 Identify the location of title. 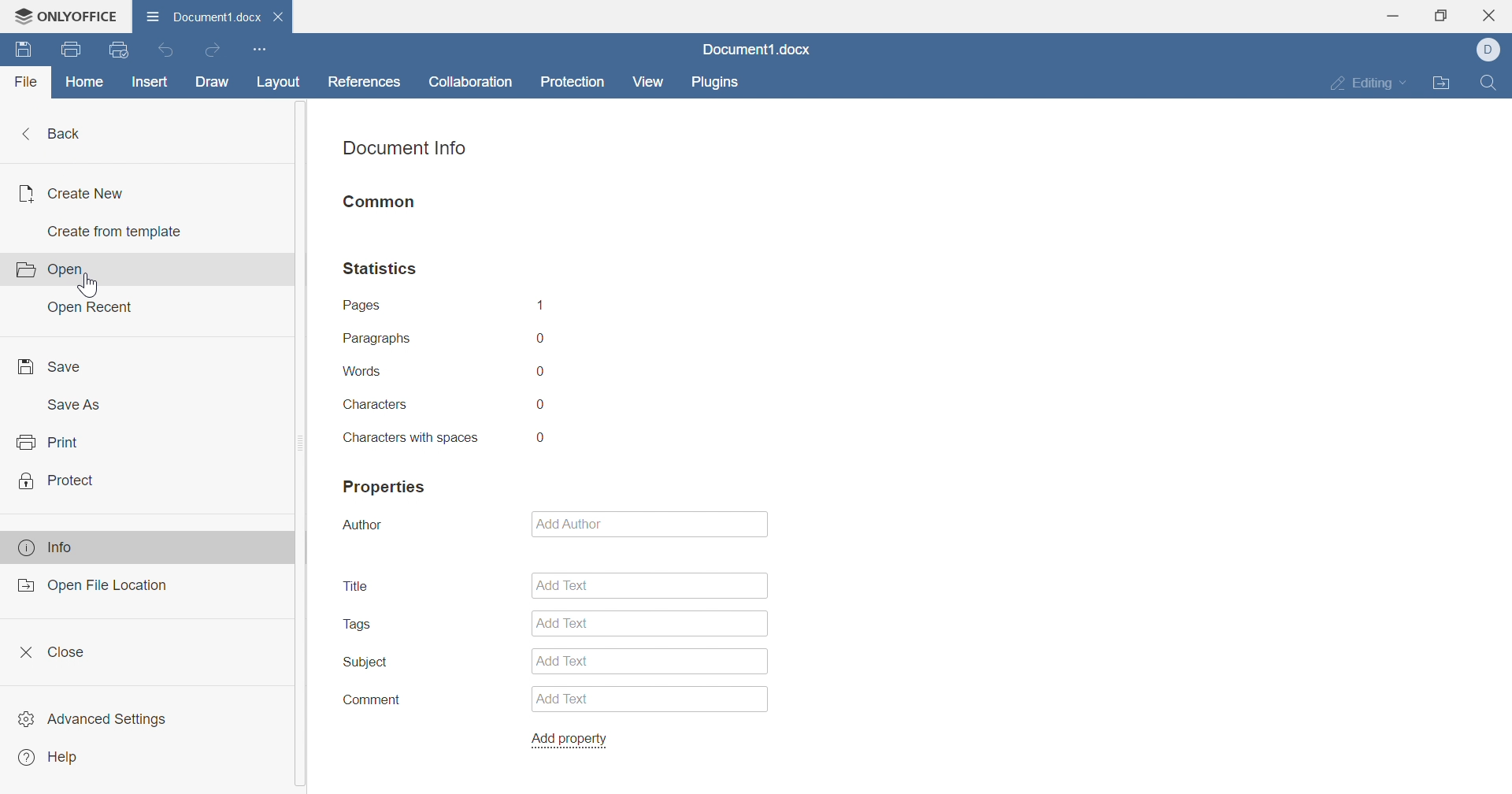
(361, 584).